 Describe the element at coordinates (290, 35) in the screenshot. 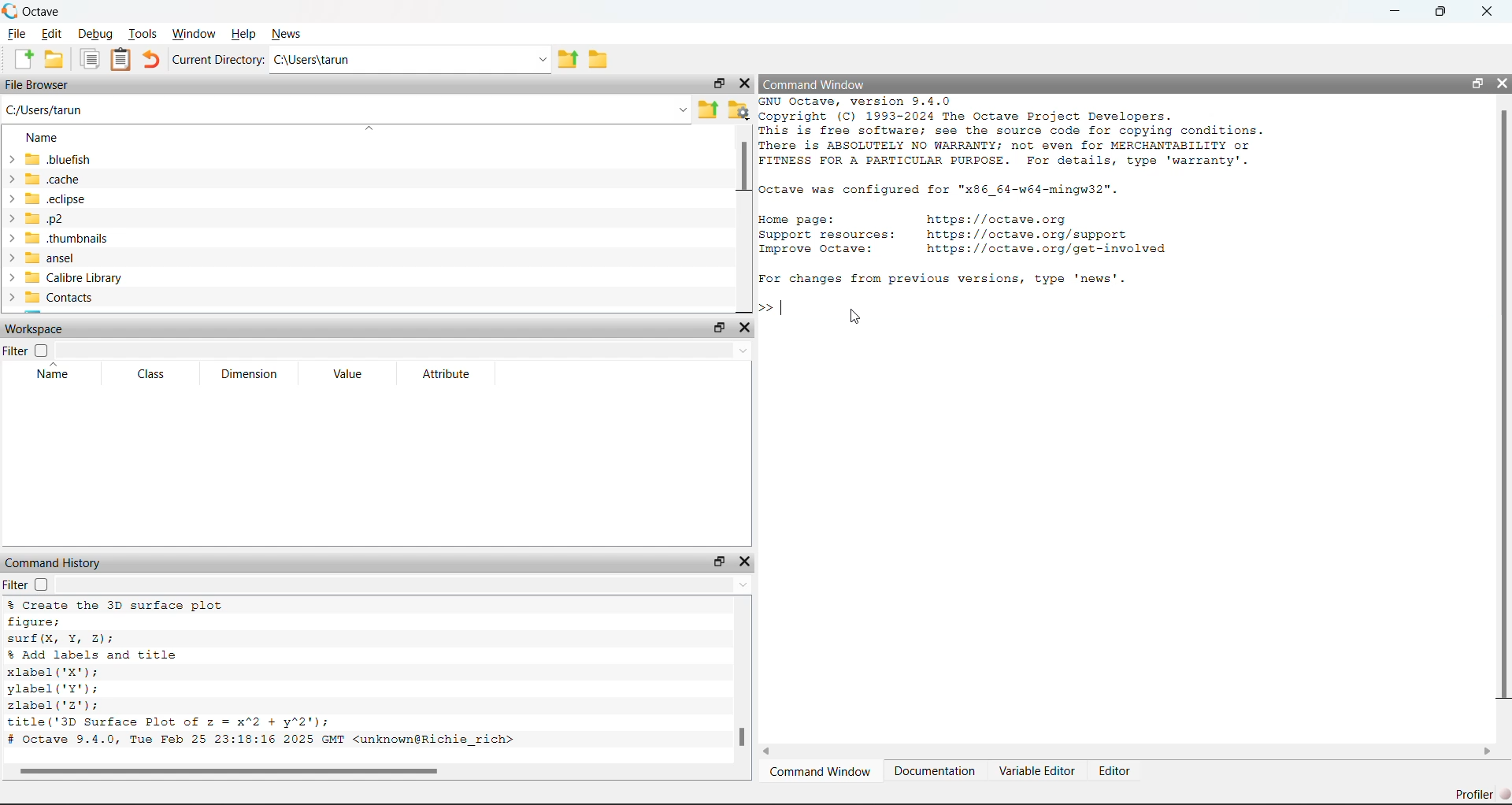

I see `News` at that location.